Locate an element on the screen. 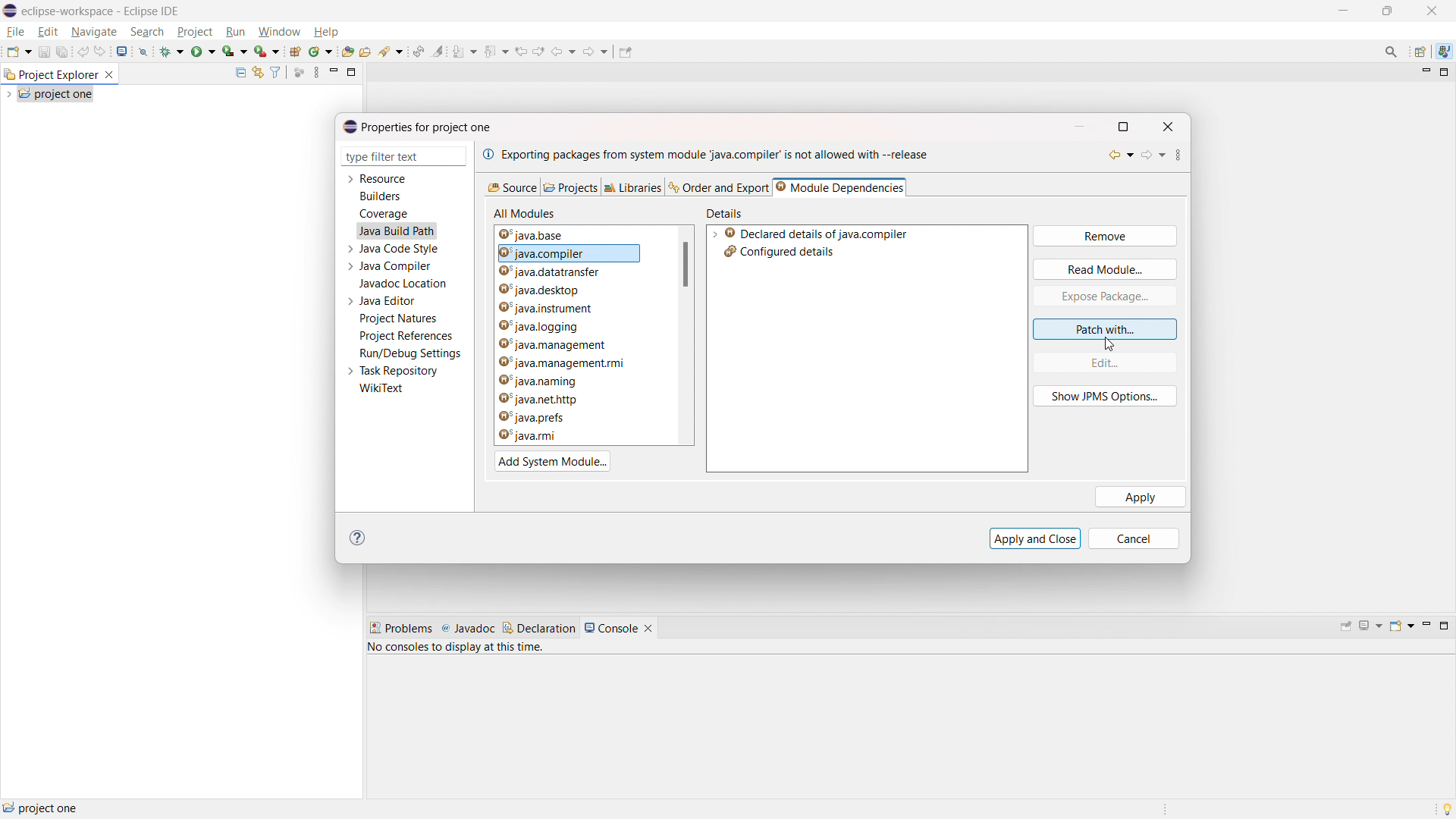 This screenshot has height=819, width=1456. new is located at coordinates (18, 51).